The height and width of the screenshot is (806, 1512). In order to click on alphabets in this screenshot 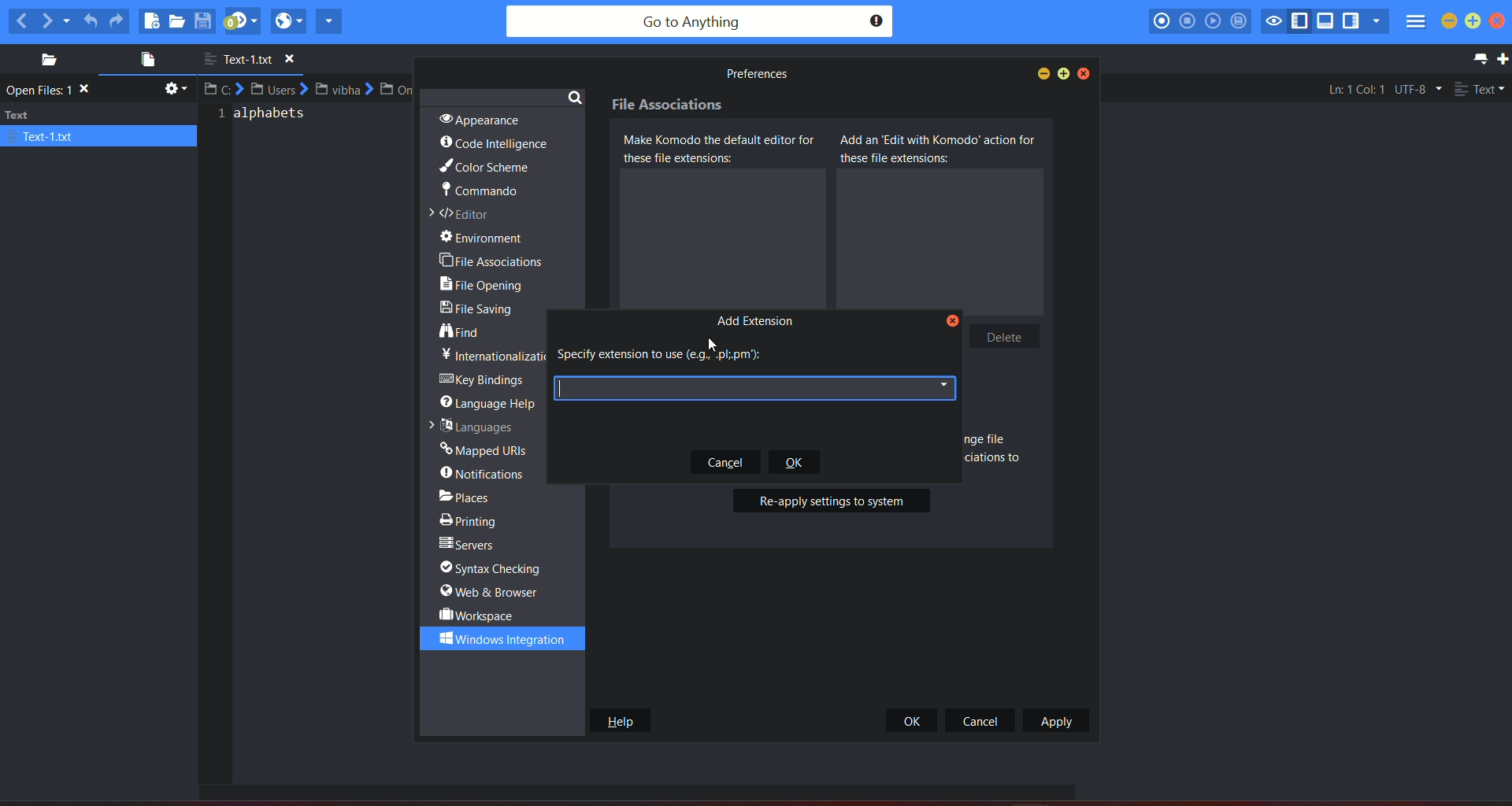, I will do `click(266, 119)`.